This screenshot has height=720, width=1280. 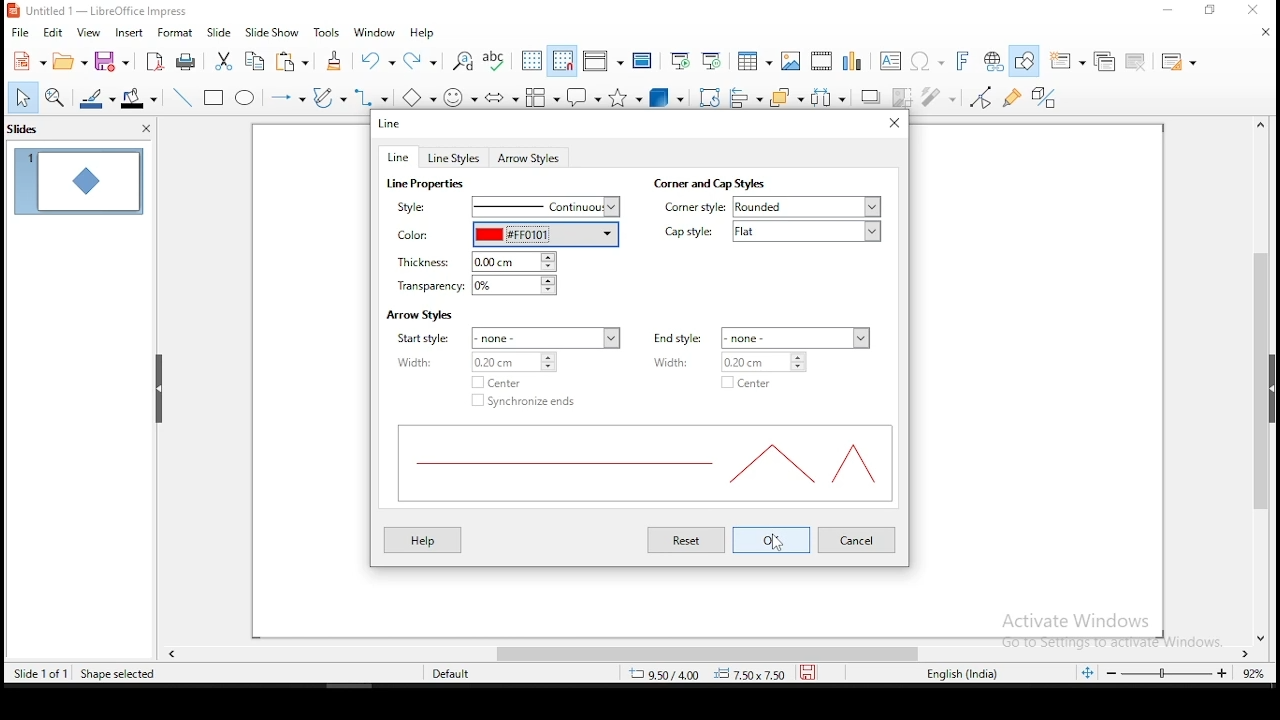 What do you see at coordinates (41, 670) in the screenshot?
I see `slide 1 of 1` at bounding box center [41, 670].